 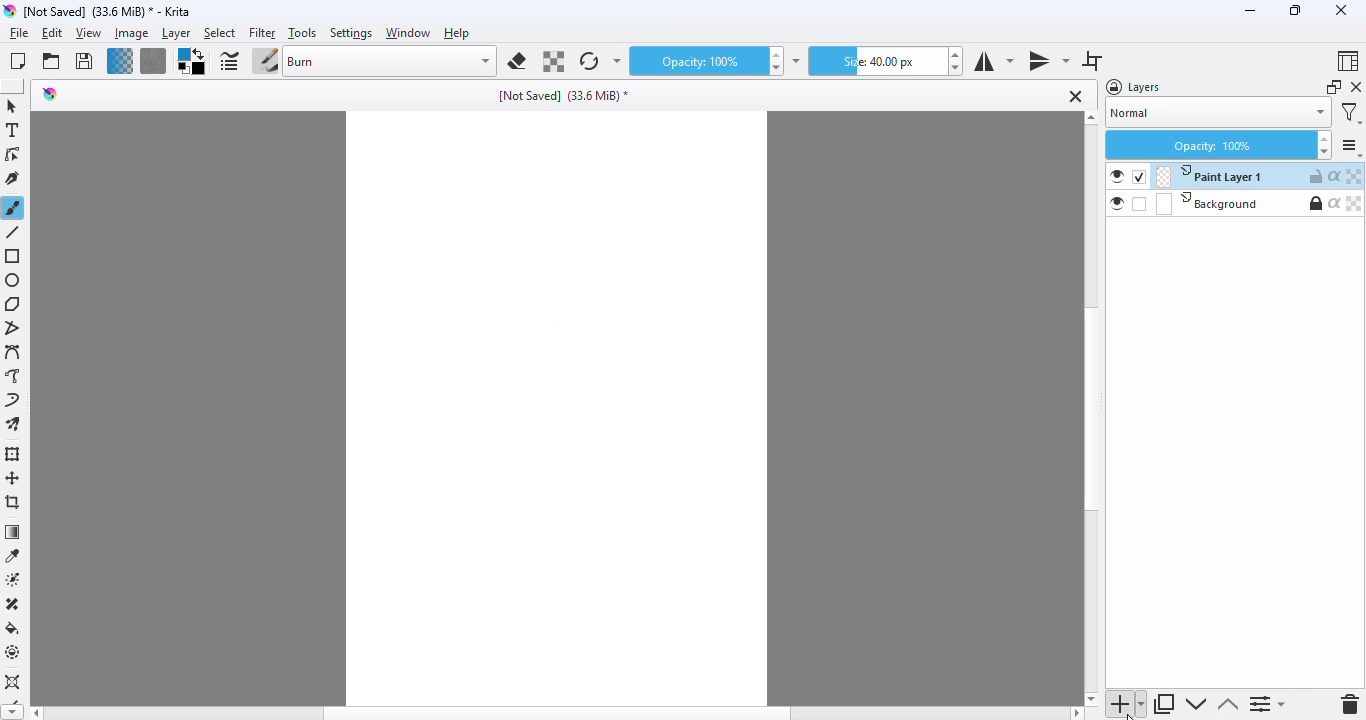 I want to click on visibility, so click(x=1118, y=177).